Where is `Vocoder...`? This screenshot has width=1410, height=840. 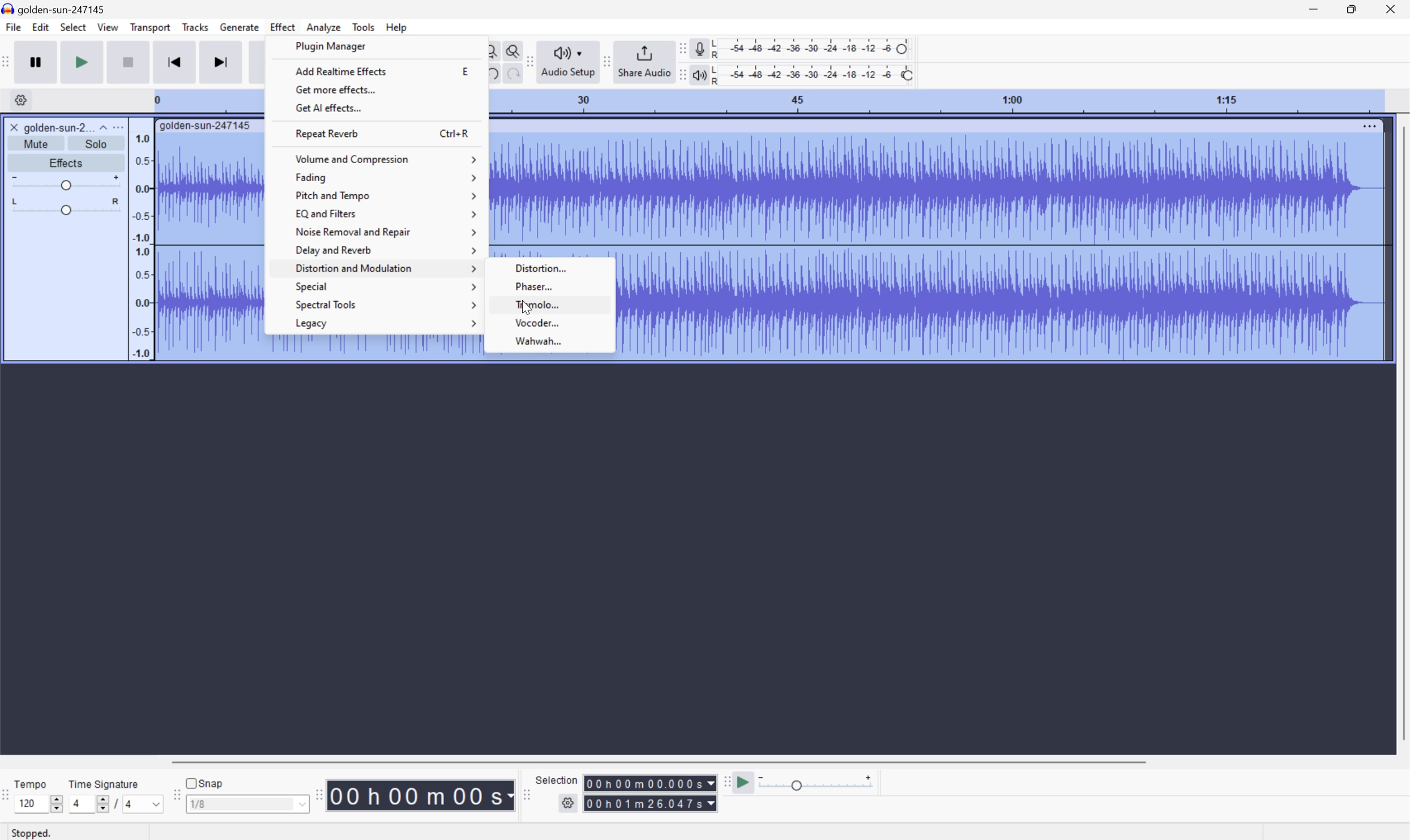 Vocoder... is located at coordinates (550, 323).